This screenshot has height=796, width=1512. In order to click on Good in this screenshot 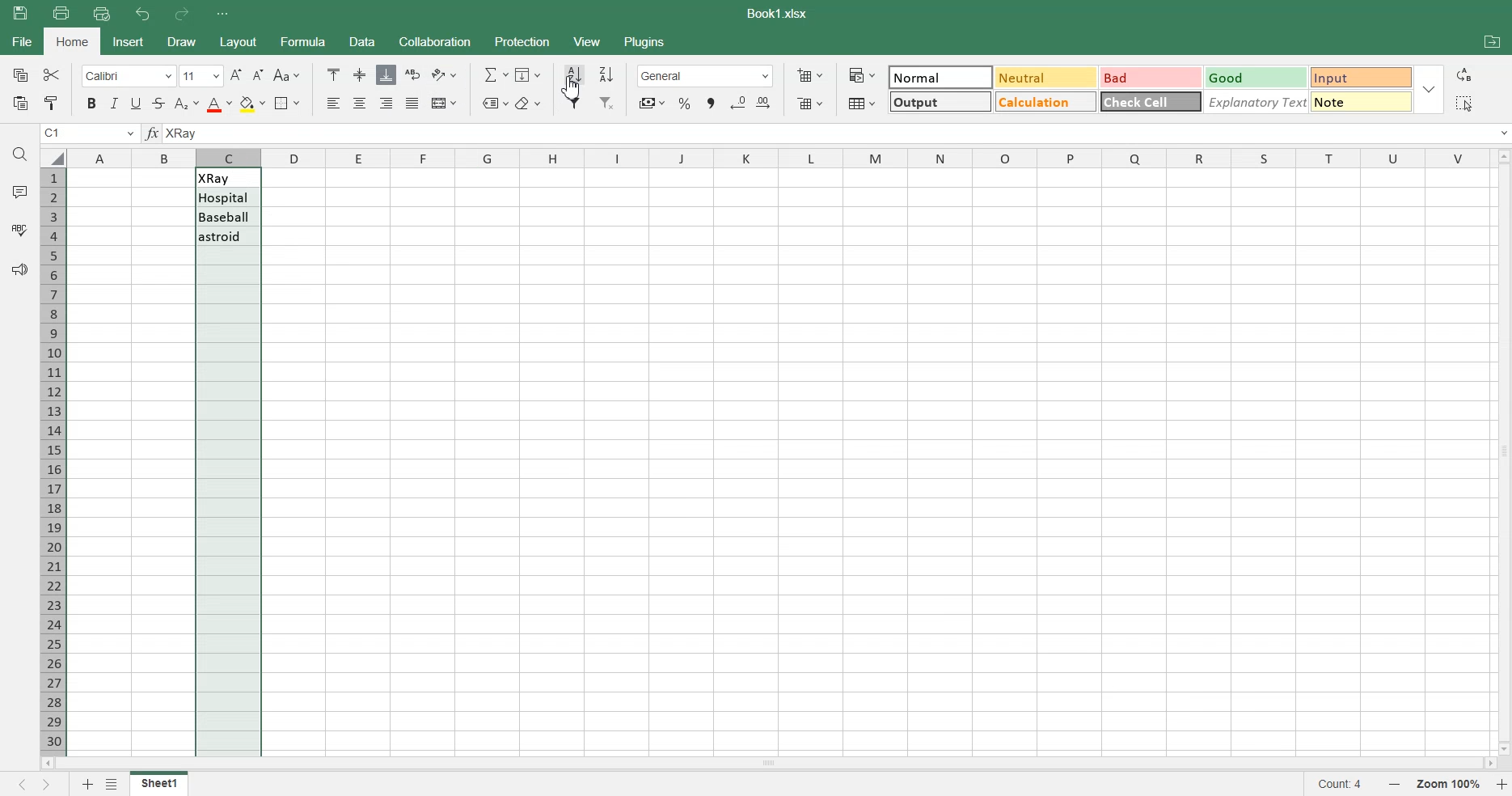, I will do `click(1252, 75)`.